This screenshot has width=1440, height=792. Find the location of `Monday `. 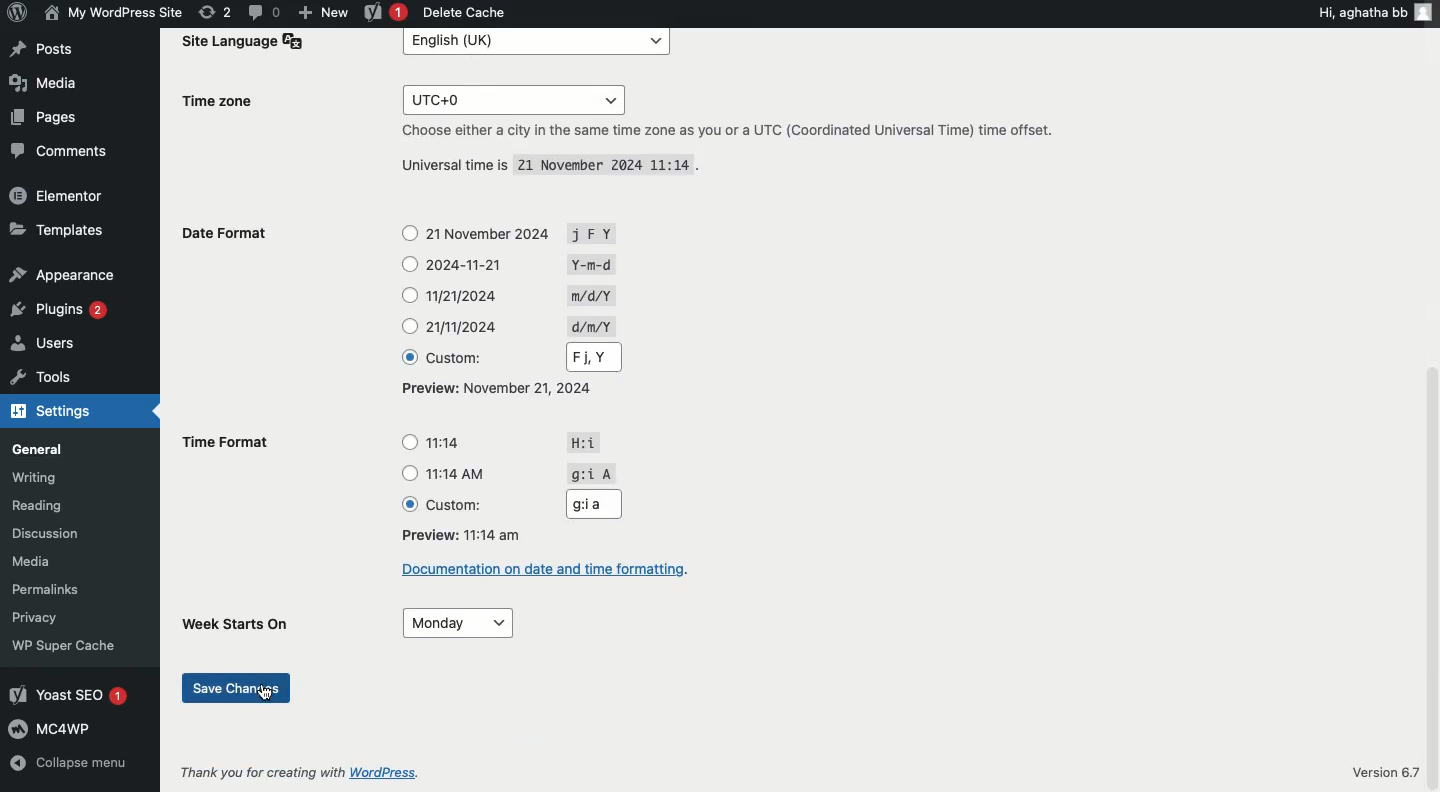

Monday  is located at coordinates (460, 623).